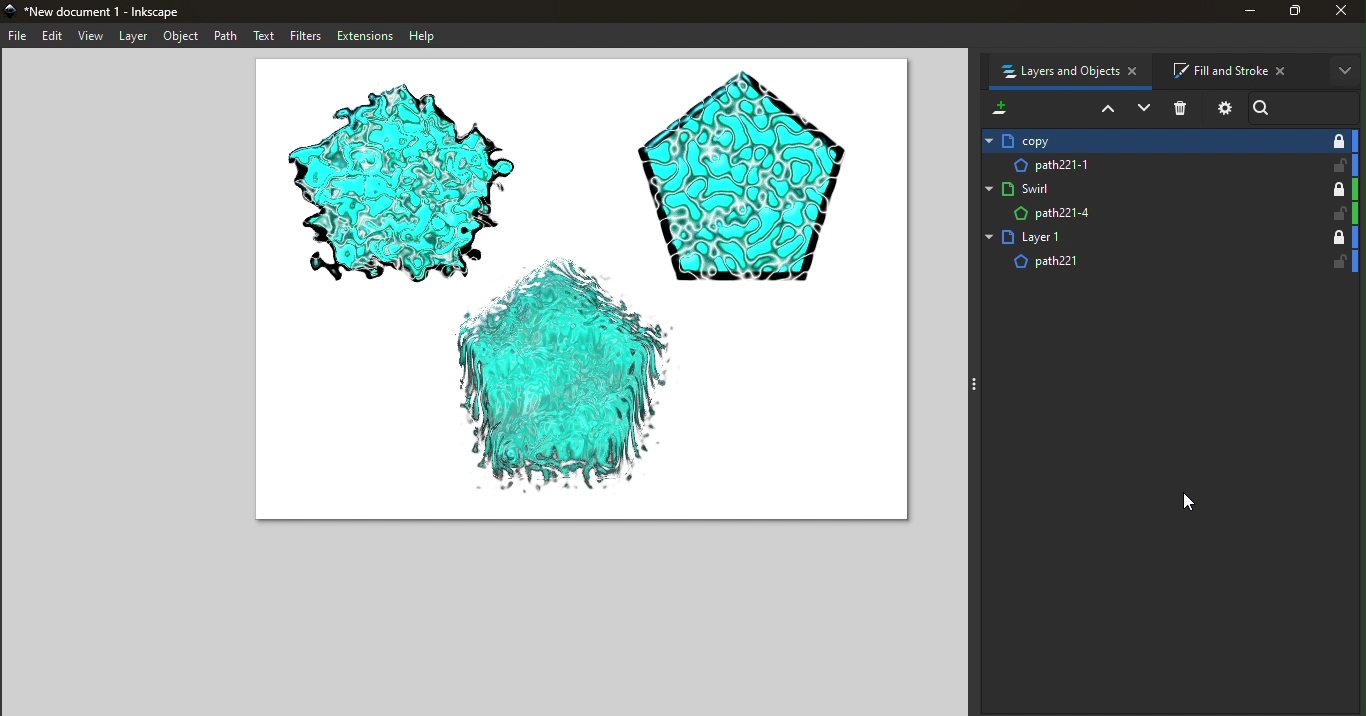 The width and height of the screenshot is (1366, 716). What do you see at coordinates (1147, 187) in the screenshot?
I see `swirl` at bounding box center [1147, 187].